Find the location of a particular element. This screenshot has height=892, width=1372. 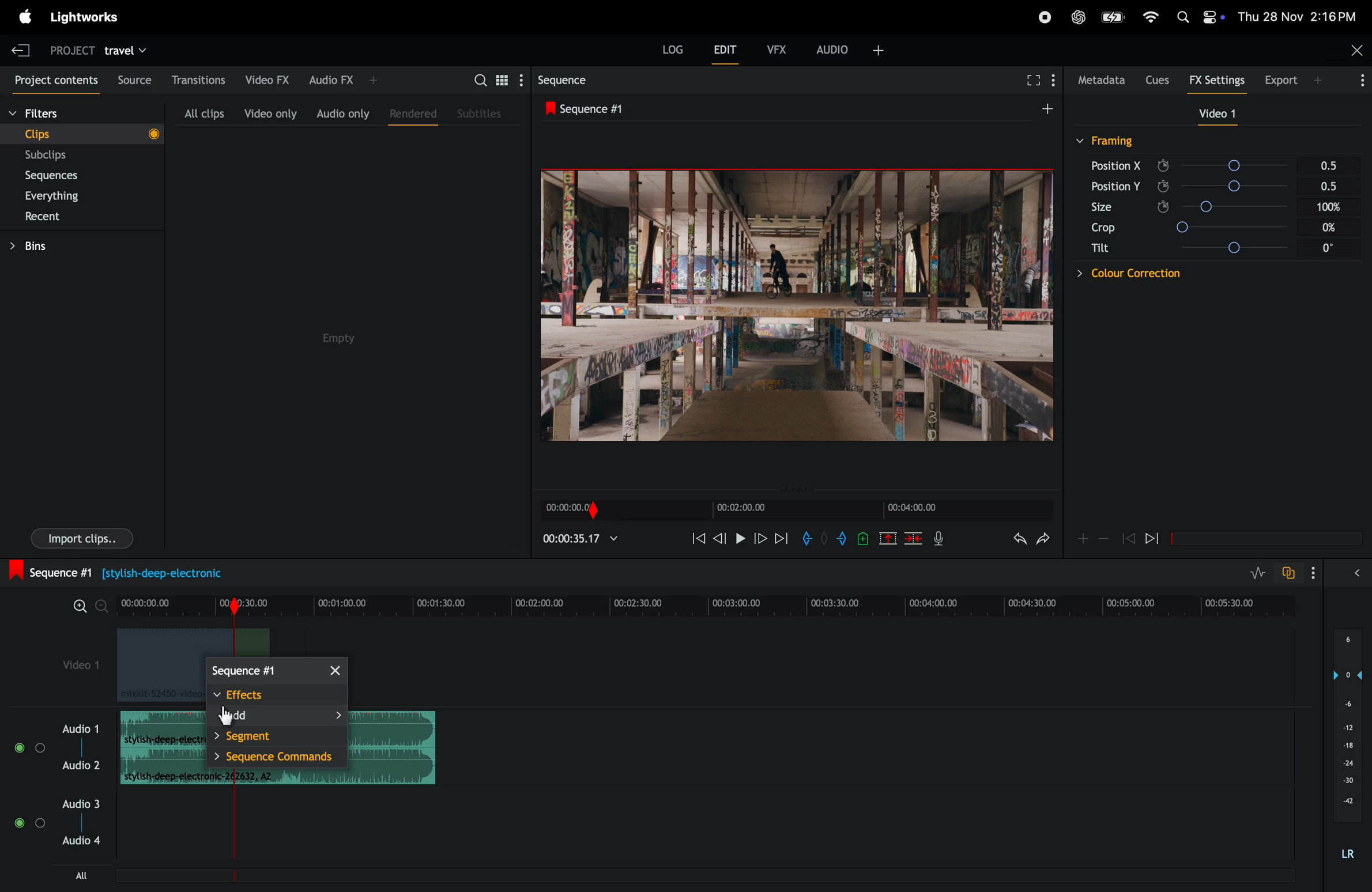

sequence 1 is located at coordinates (137, 573).